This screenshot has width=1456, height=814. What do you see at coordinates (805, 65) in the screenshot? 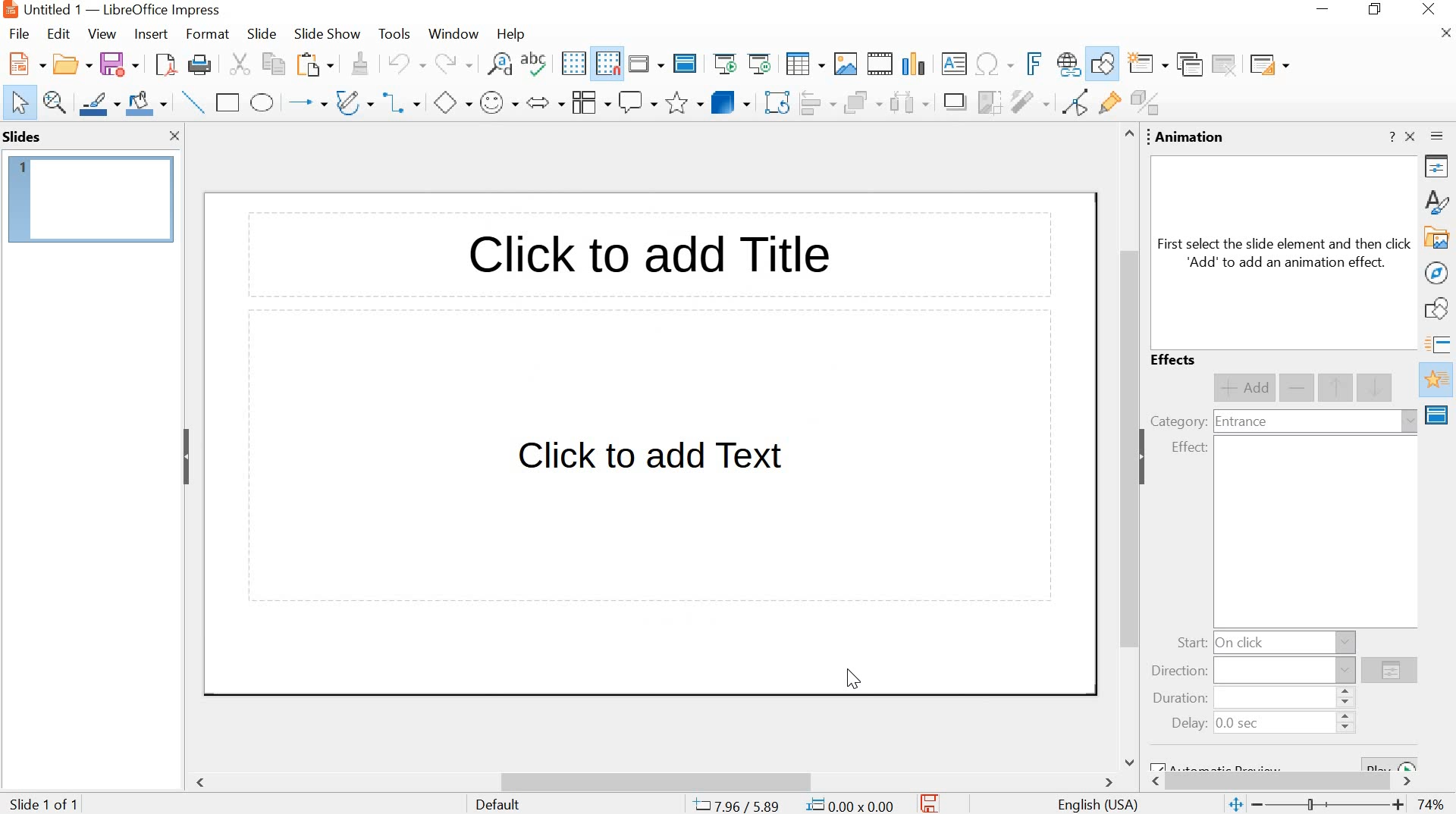
I see `insert table` at bounding box center [805, 65].